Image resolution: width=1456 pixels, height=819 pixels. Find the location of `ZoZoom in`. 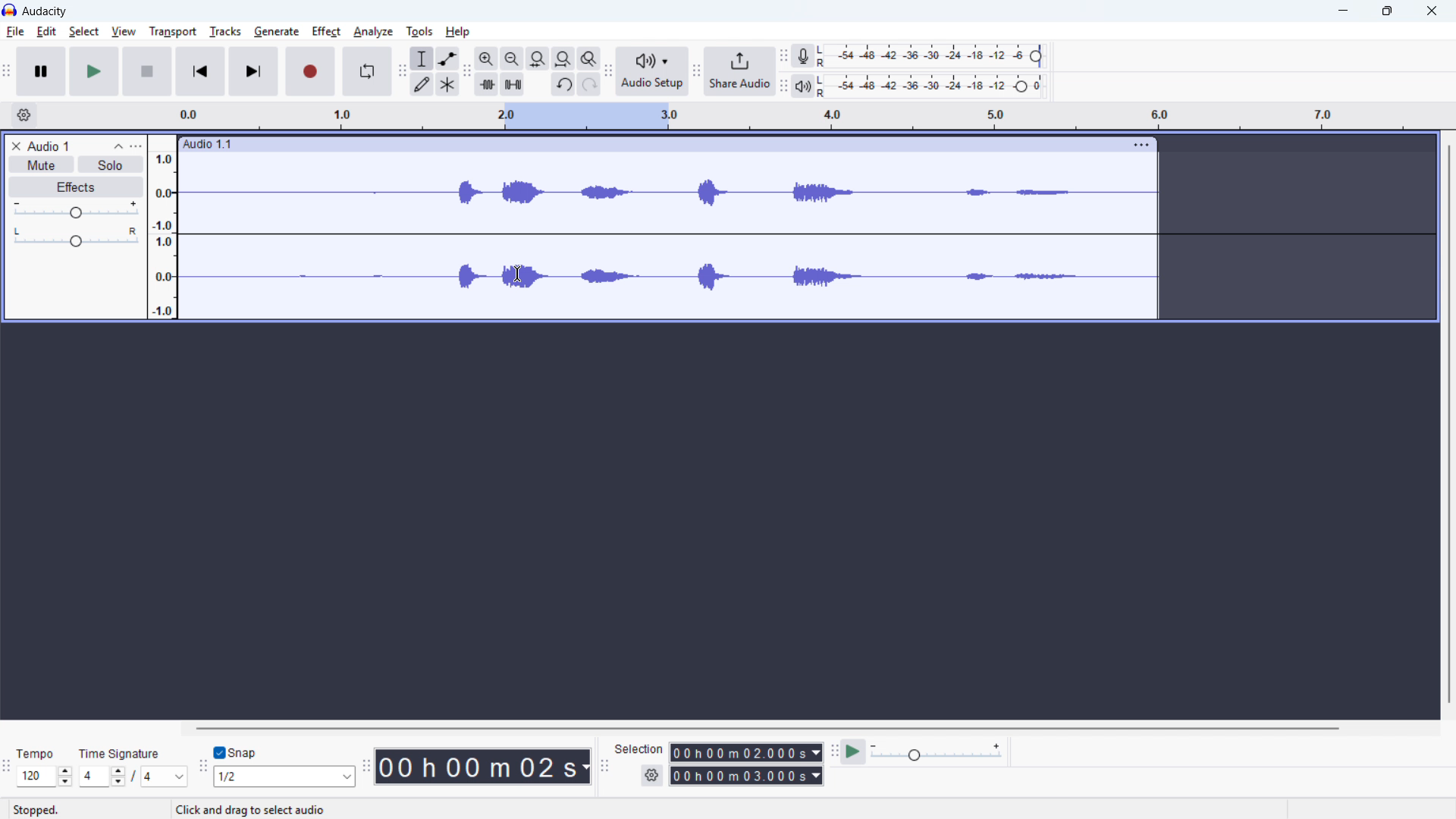

ZoZoom in is located at coordinates (485, 58).